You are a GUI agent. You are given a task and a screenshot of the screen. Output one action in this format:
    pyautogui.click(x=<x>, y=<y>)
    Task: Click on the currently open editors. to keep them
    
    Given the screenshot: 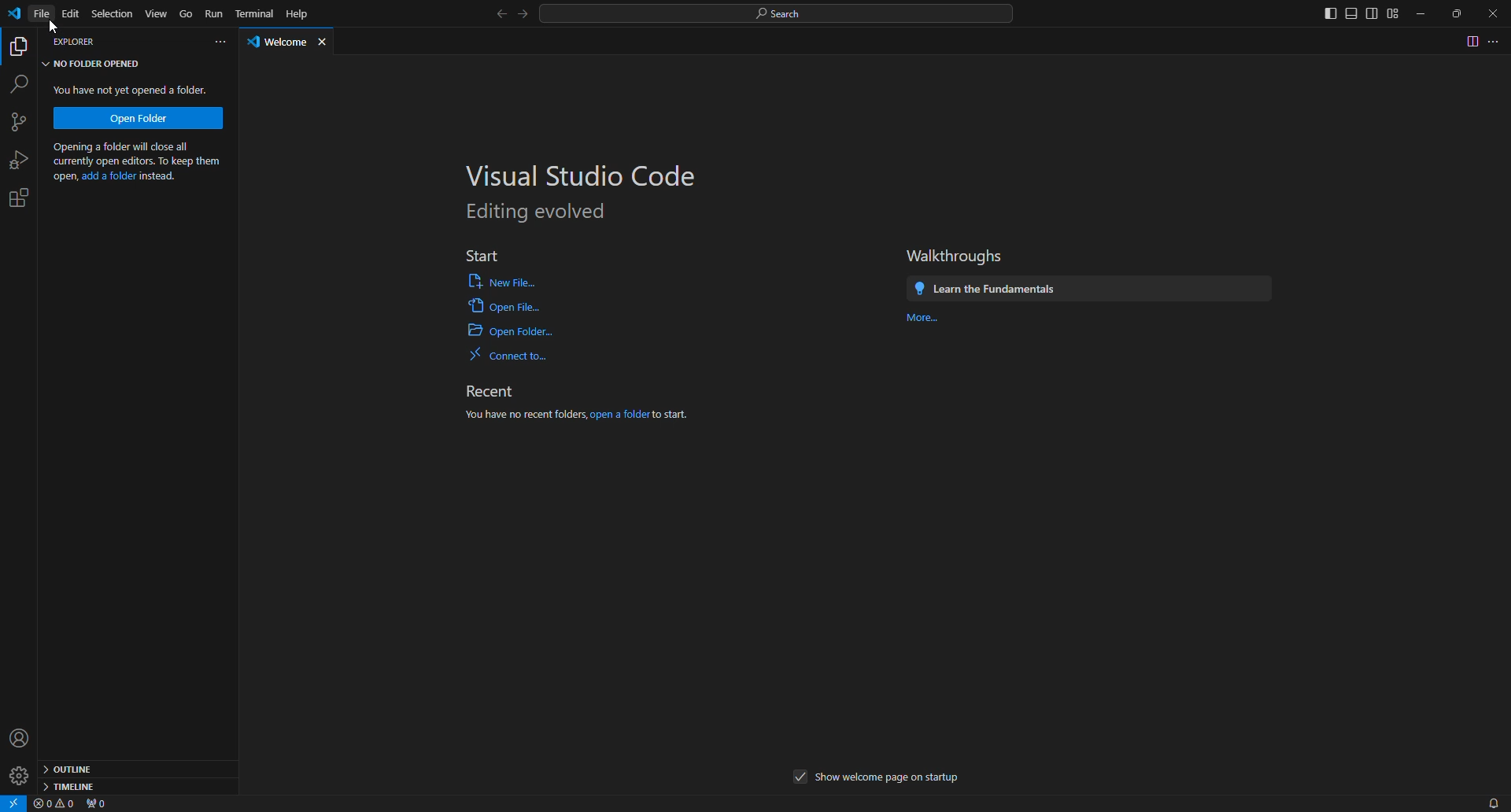 What is the action you would take?
    pyautogui.click(x=136, y=163)
    